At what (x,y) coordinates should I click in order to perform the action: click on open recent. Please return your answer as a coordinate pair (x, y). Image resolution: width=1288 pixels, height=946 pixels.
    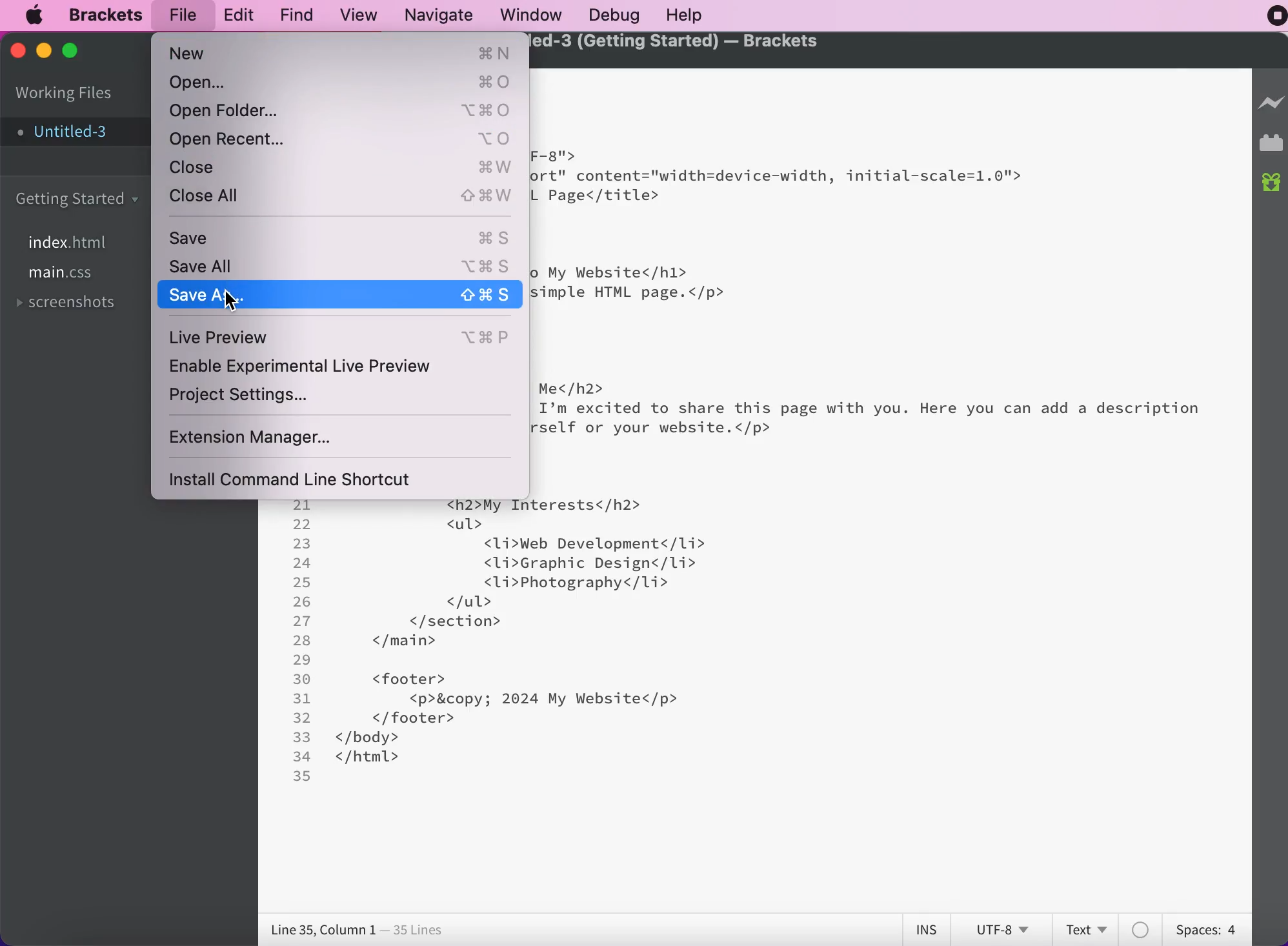
    Looking at the image, I should click on (343, 140).